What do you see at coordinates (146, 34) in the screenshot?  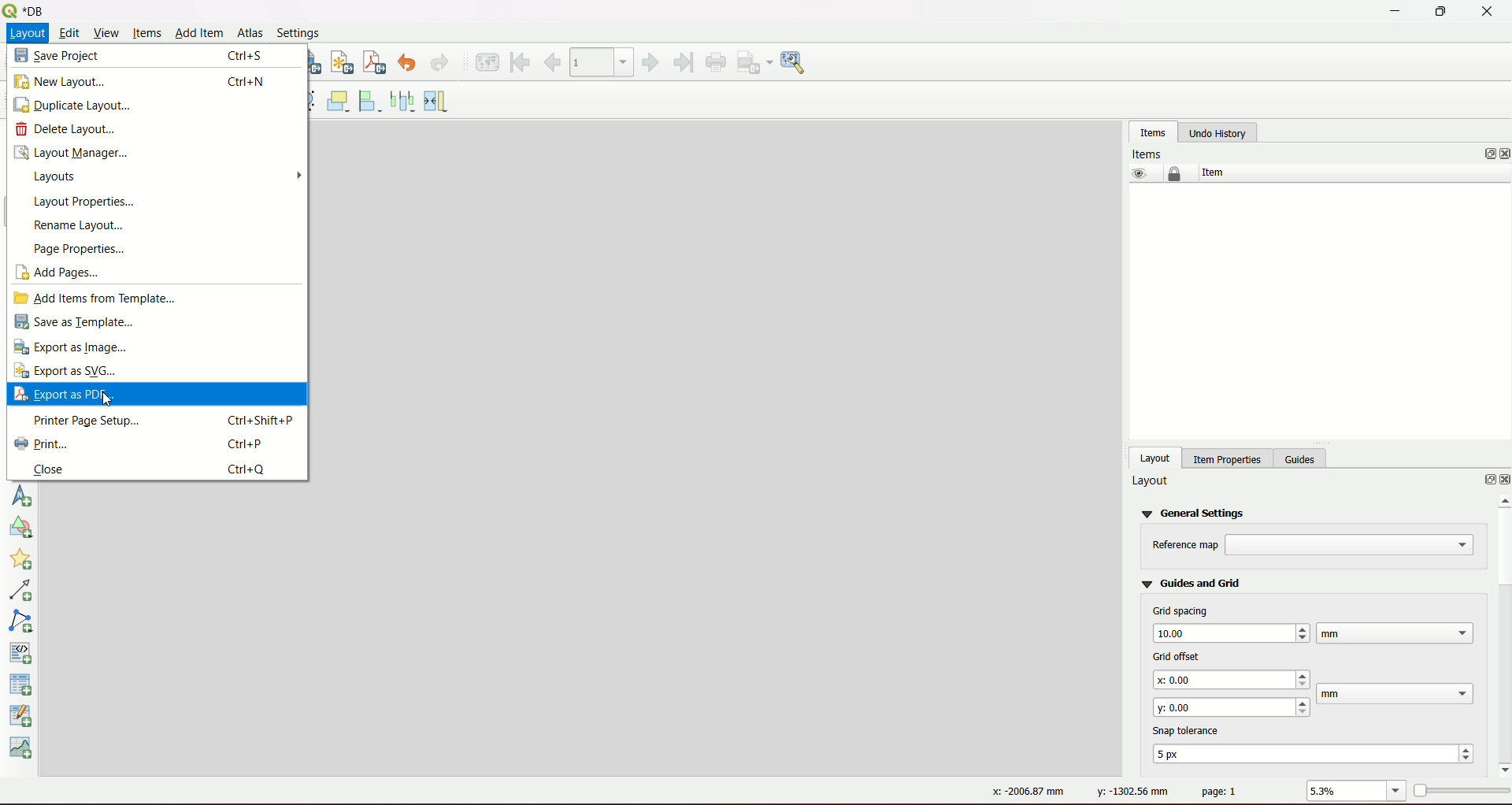 I see `Items` at bounding box center [146, 34].